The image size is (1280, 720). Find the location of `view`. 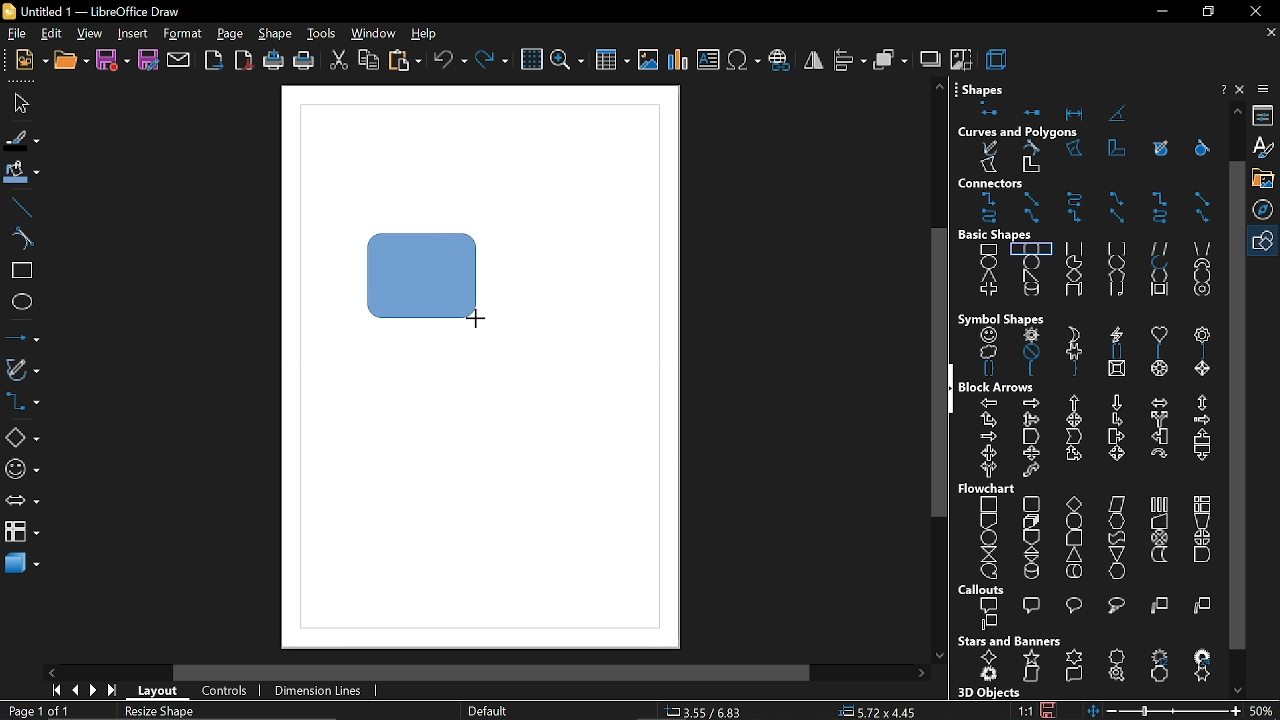

view is located at coordinates (90, 35).